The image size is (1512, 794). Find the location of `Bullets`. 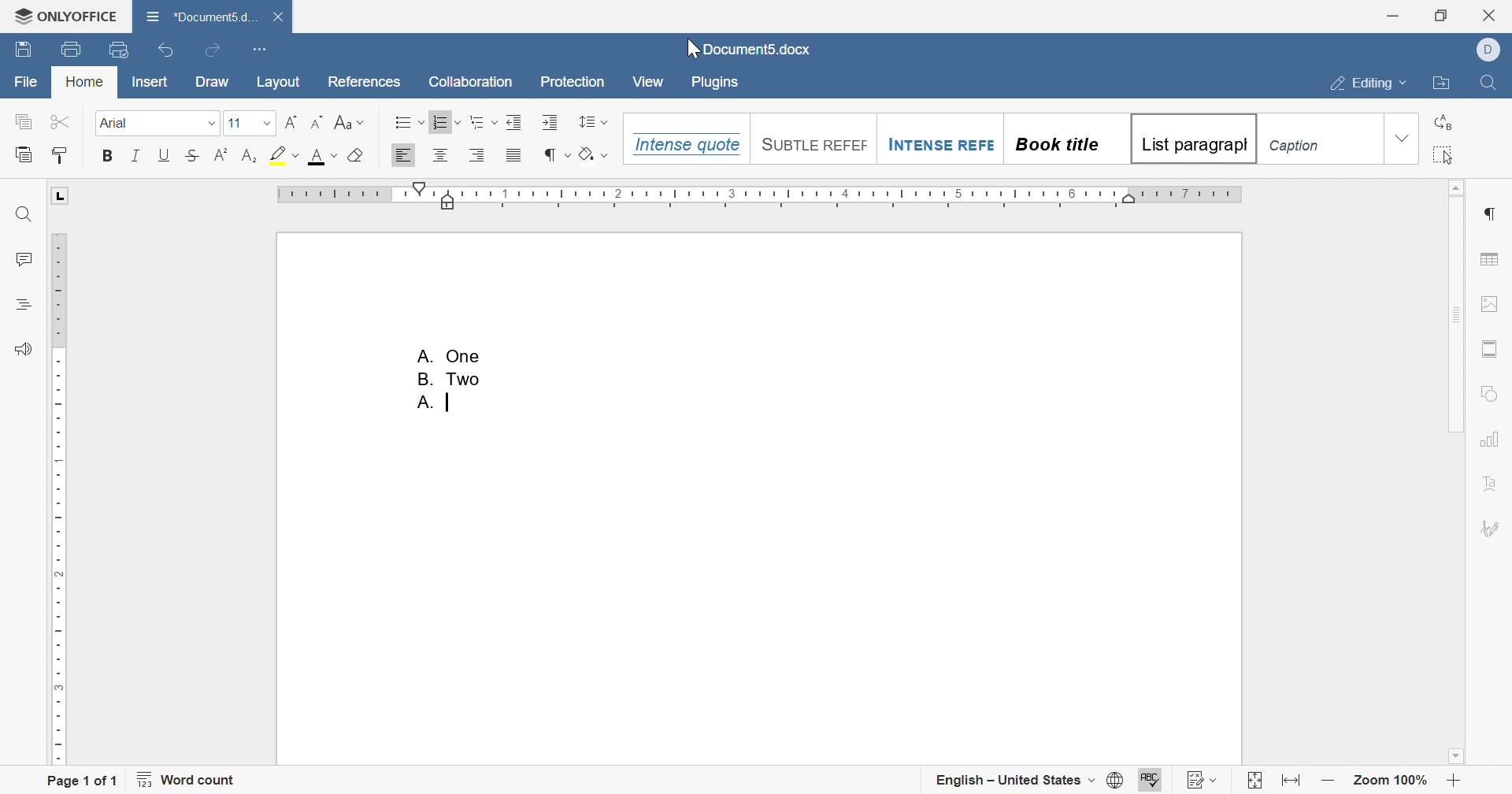

Bullets is located at coordinates (407, 121).